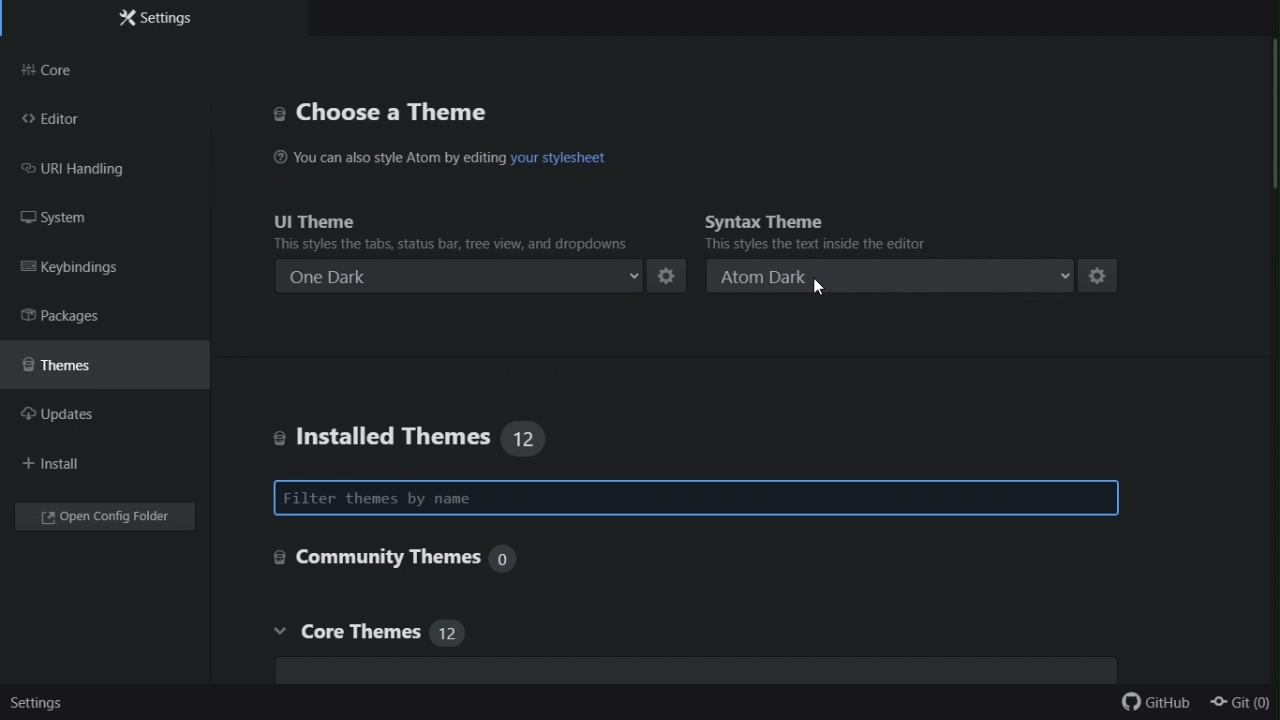  I want to click on scroll bar, so click(1271, 111).